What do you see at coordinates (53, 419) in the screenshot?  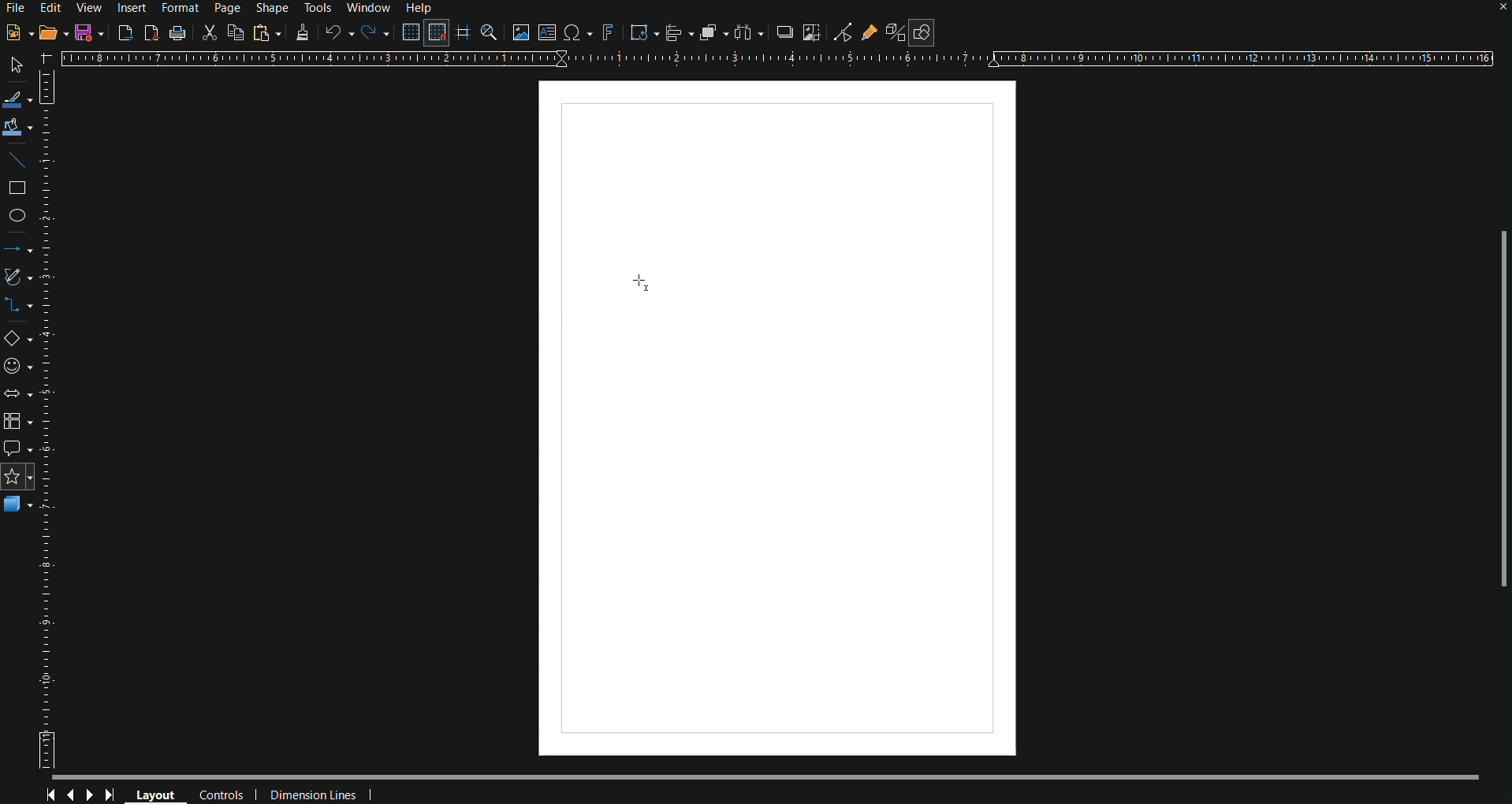 I see `Vertical Ruler` at bounding box center [53, 419].